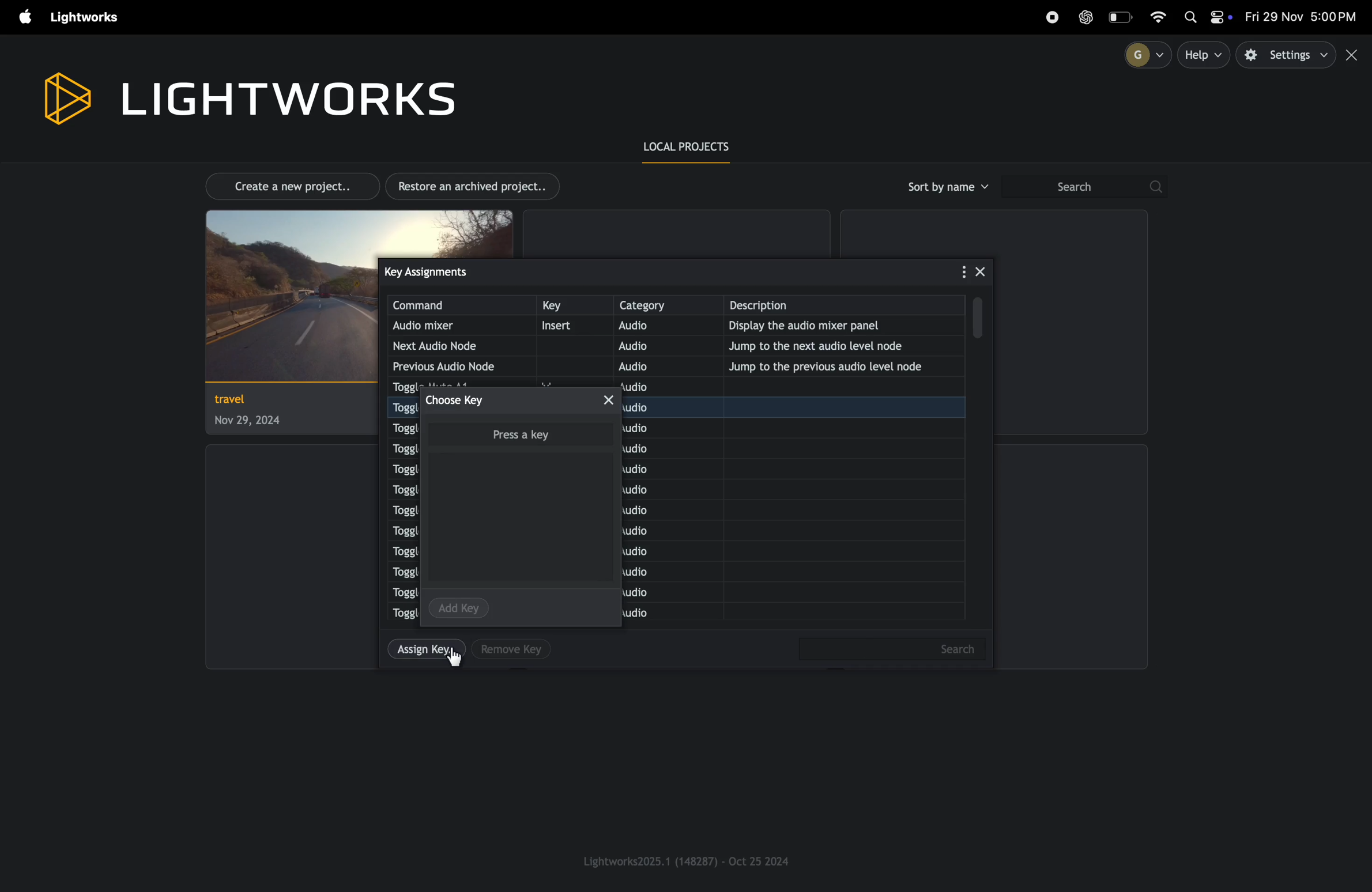 Image resolution: width=1372 pixels, height=892 pixels. Describe the element at coordinates (1354, 55) in the screenshot. I see `close` at that location.